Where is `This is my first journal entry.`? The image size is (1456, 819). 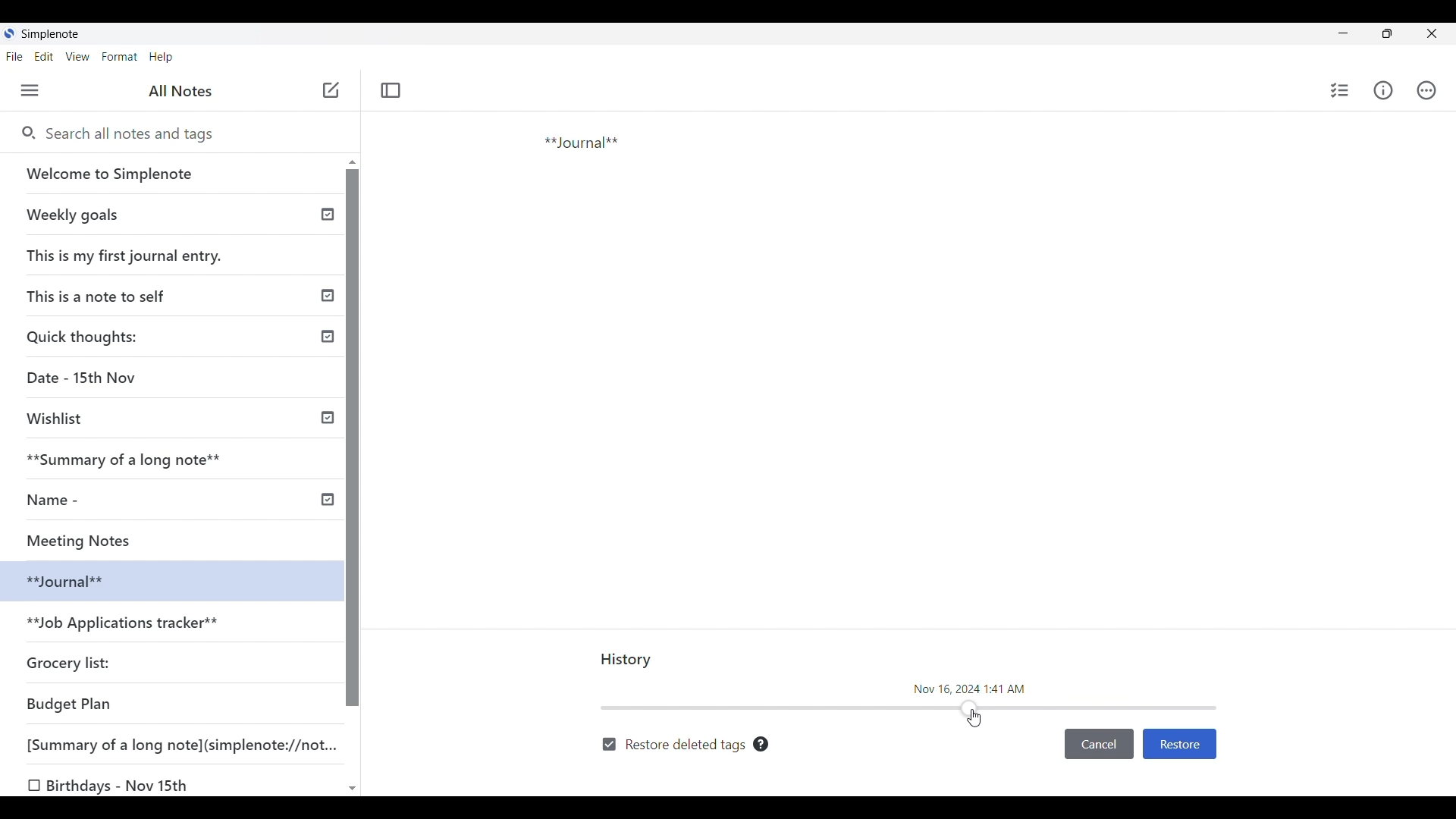
This is my first journal entry. is located at coordinates (126, 255).